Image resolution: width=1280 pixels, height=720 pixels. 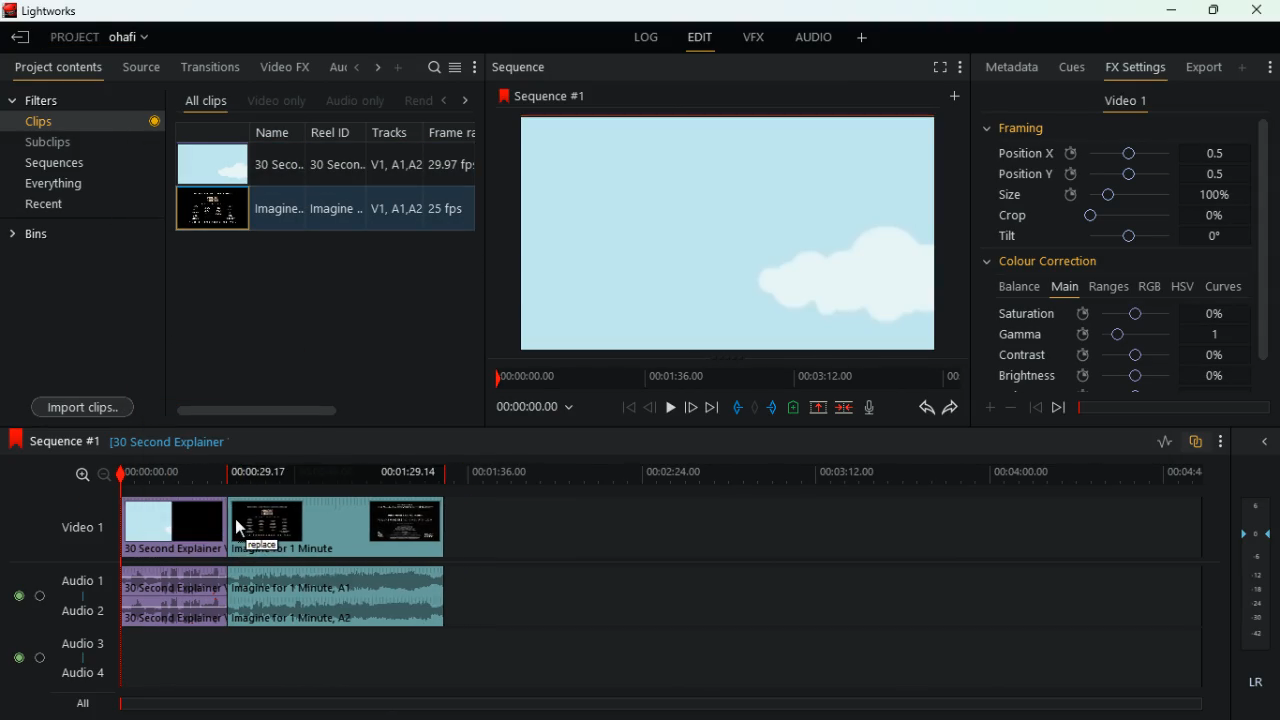 What do you see at coordinates (667, 407) in the screenshot?
I see `play` at bounding box center [667, 407].